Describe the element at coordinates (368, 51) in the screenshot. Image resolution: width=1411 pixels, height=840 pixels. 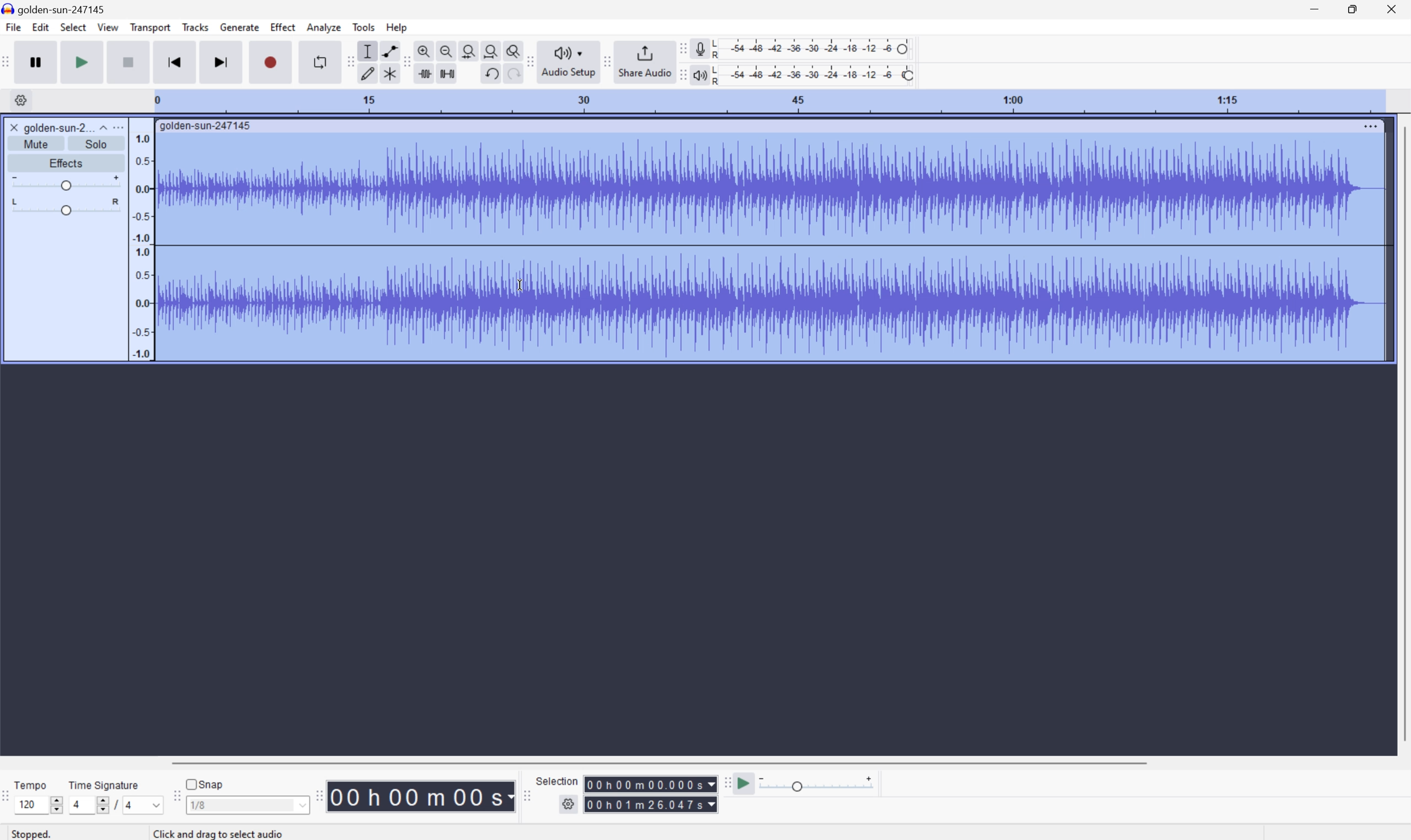
I see `Selection tool` at that location.